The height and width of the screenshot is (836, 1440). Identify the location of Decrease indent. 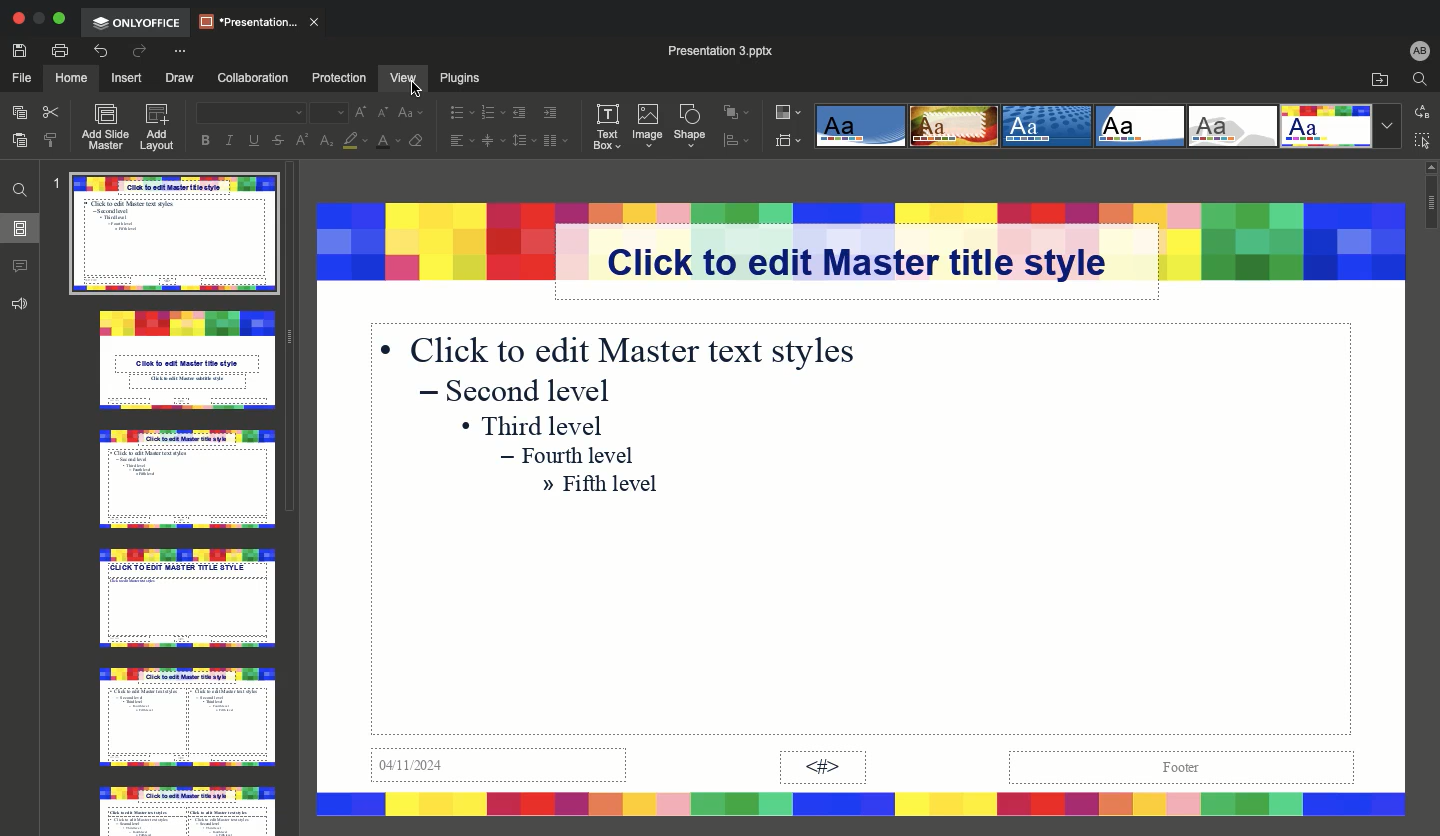
(520, 113).